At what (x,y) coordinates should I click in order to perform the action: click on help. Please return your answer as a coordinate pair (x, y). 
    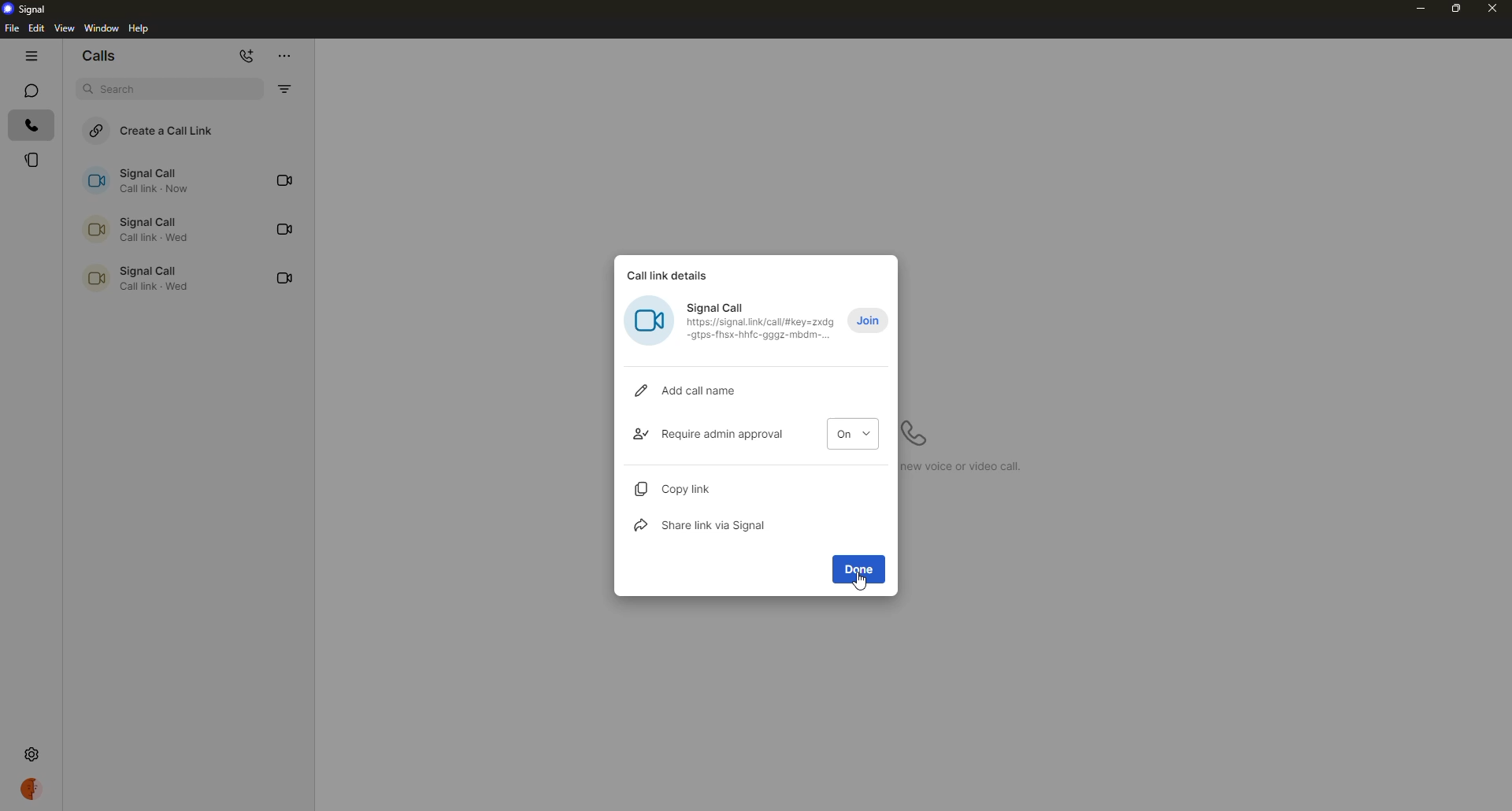
    Looking at the image, I should click on (141, 28).